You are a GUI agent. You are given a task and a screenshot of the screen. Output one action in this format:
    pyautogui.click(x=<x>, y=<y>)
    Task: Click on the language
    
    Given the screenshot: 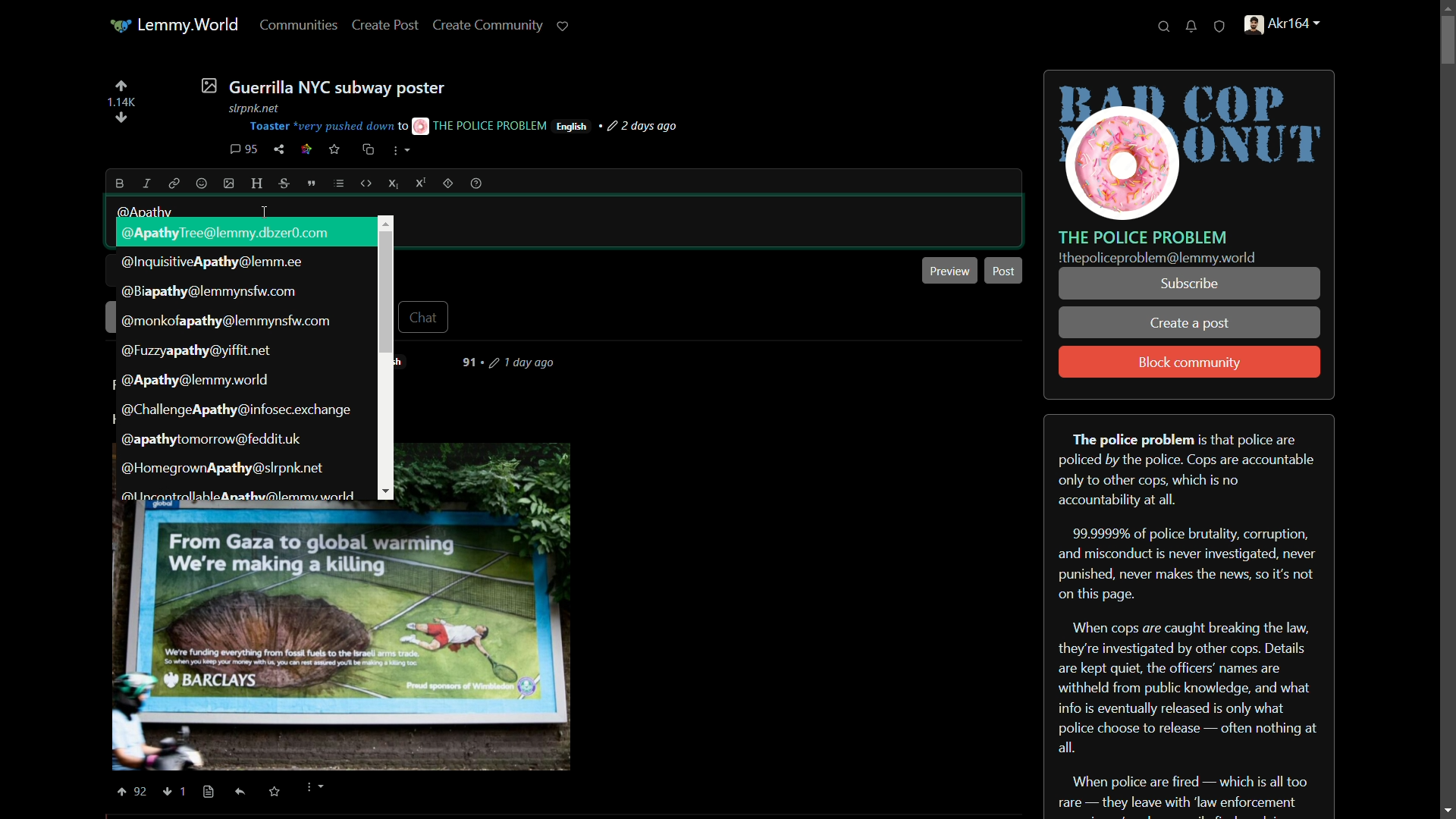 What is the action you would take?
    pyautogui.click(x=572, y=127)
    